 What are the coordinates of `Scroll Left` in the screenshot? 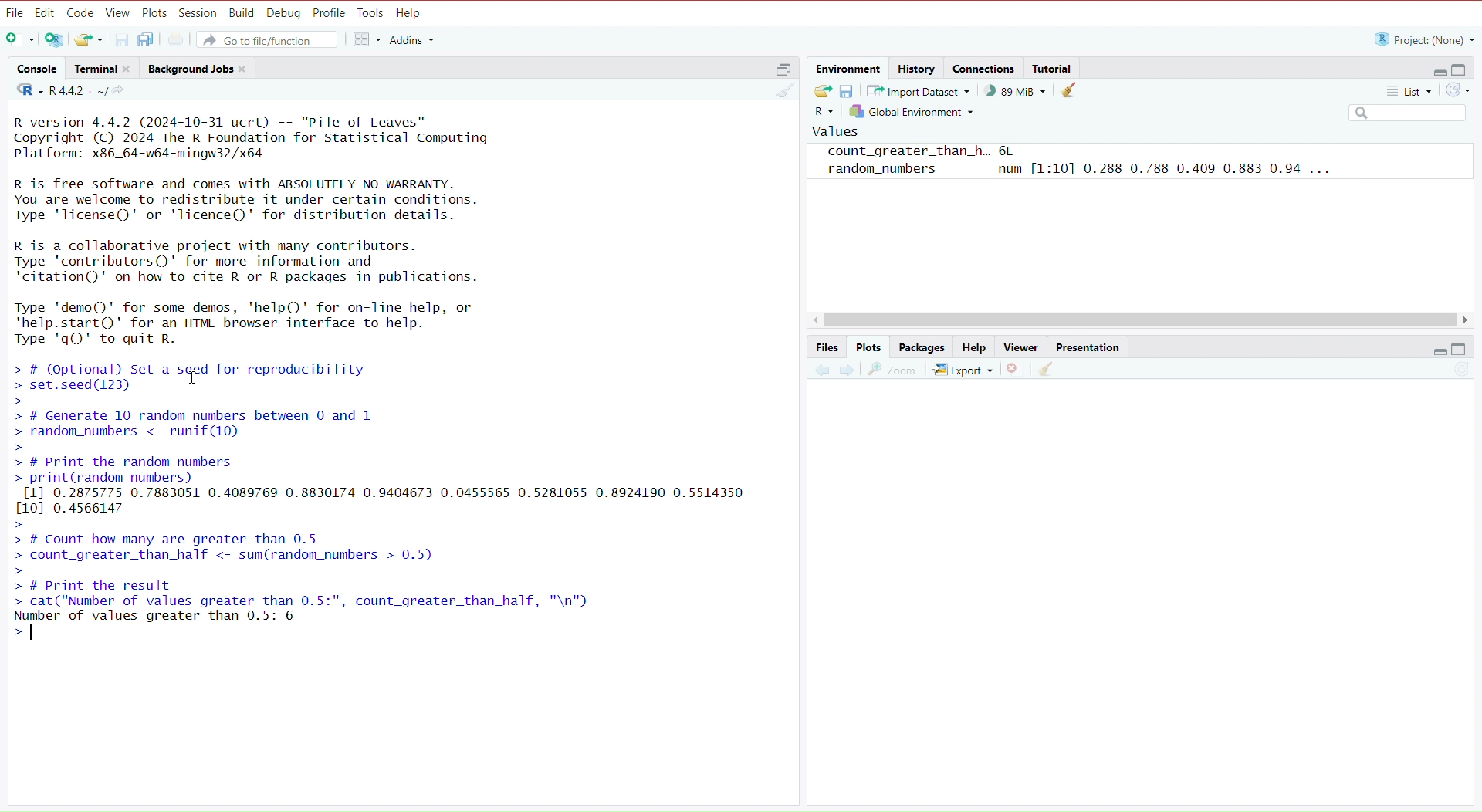 It's located at (814, 320).